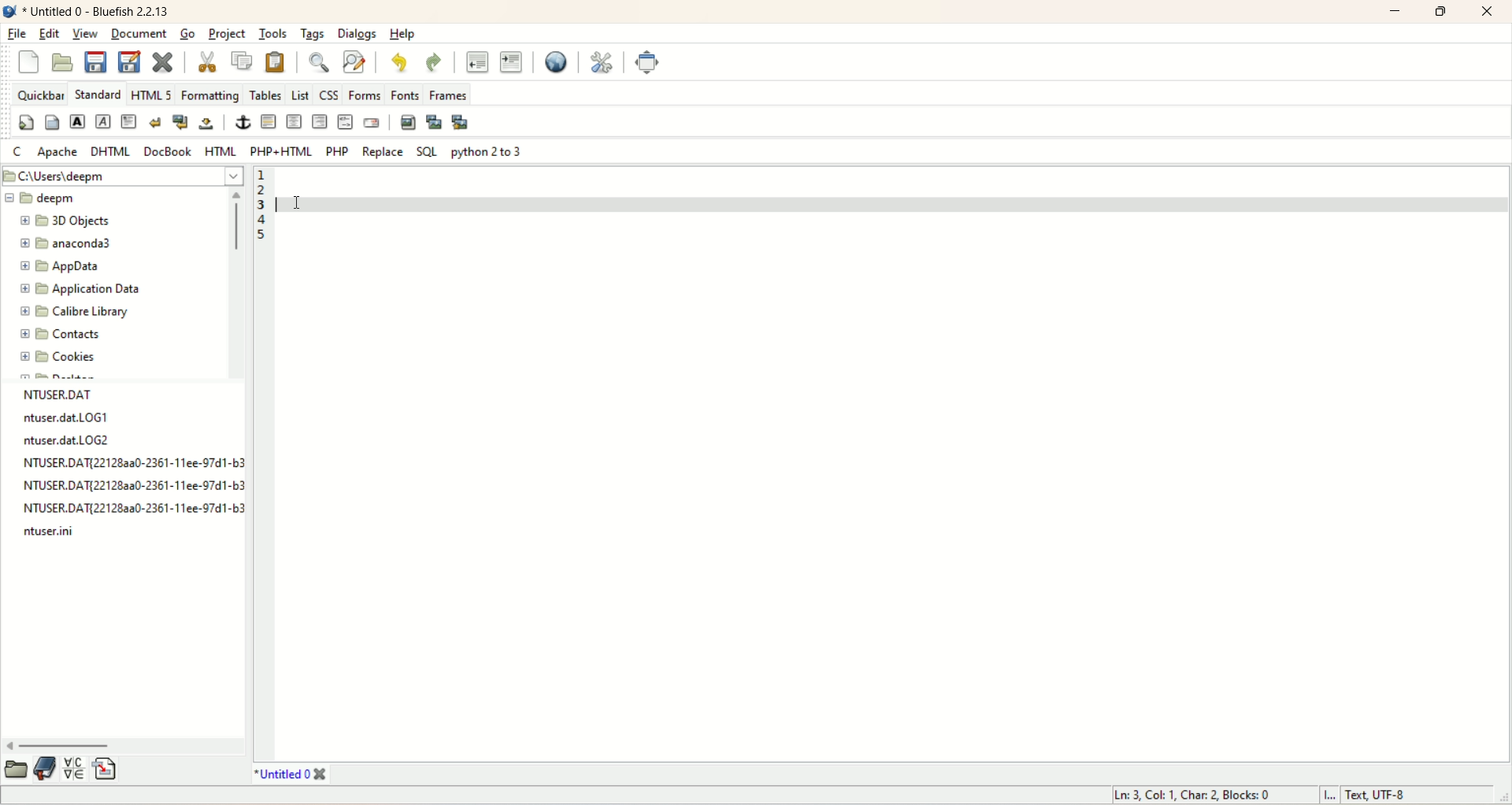 This screenshot has height=805, width=1512. Describe the element at coordinates (352, 62) in the screenshot. I see `advance find and replace` at that location.